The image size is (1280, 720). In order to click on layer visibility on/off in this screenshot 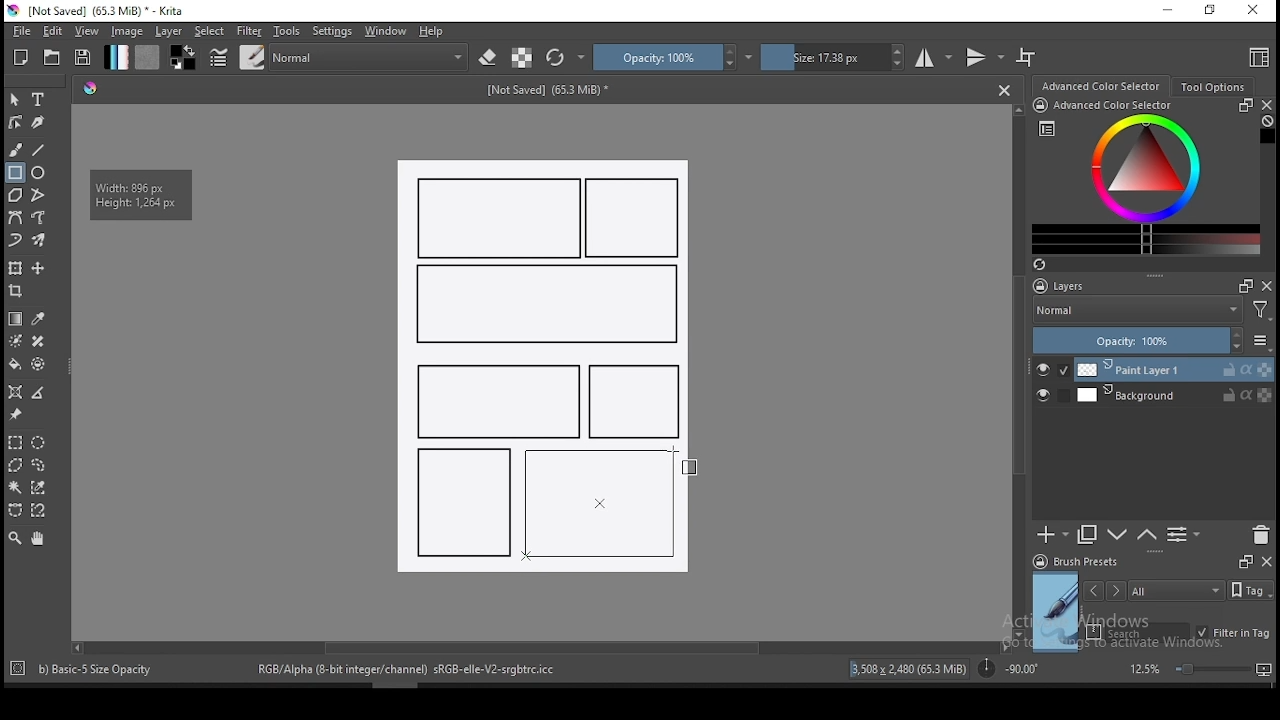, I will do `click(1048, 397)`.